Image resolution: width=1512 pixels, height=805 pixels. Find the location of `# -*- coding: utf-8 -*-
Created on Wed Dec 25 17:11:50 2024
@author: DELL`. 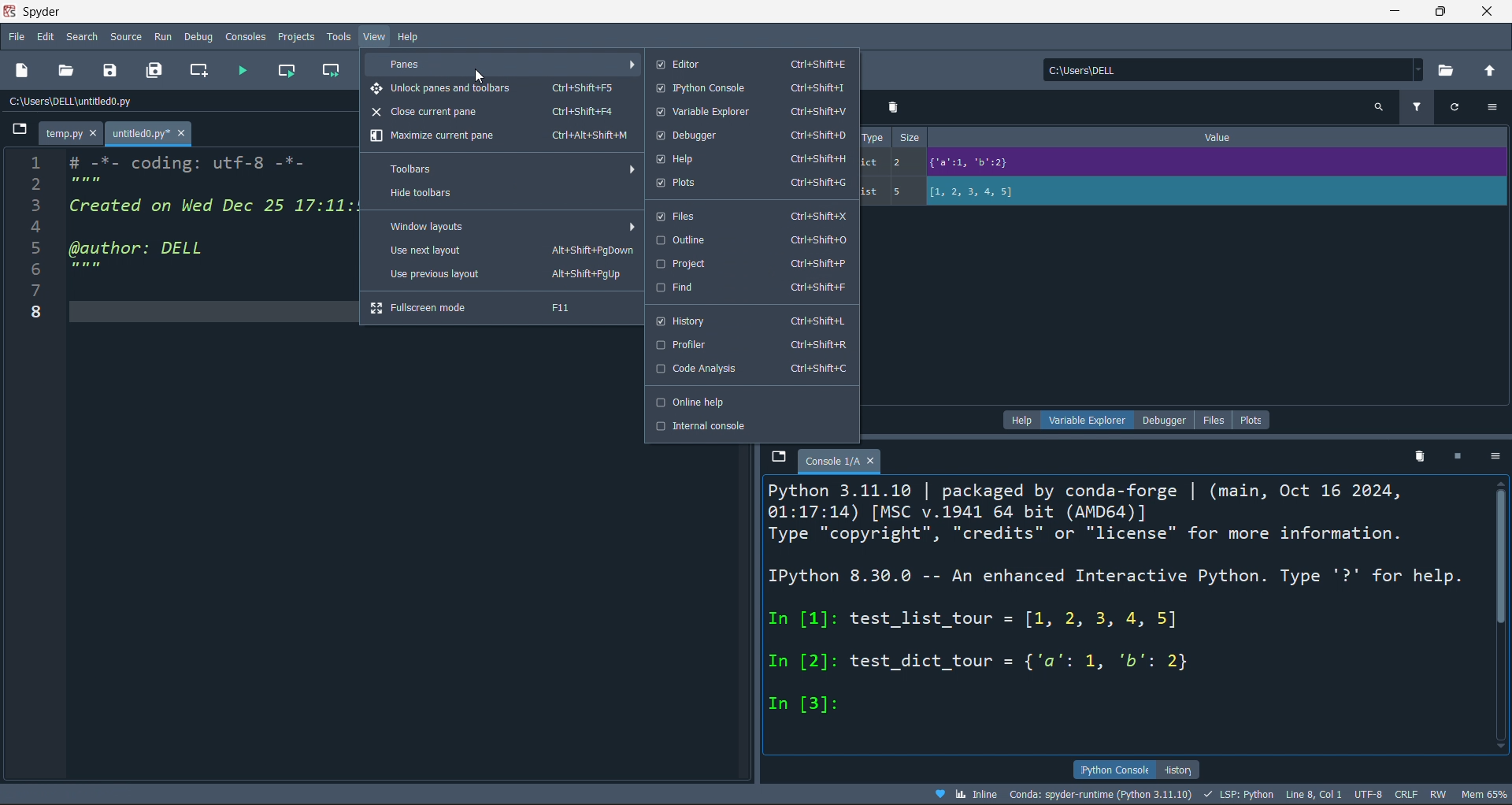

# -*- coding: utf-8 -*-
Created on Wed Dec 25 17:11:50 2024
@author: DELL is located at coordinates (205, 236).